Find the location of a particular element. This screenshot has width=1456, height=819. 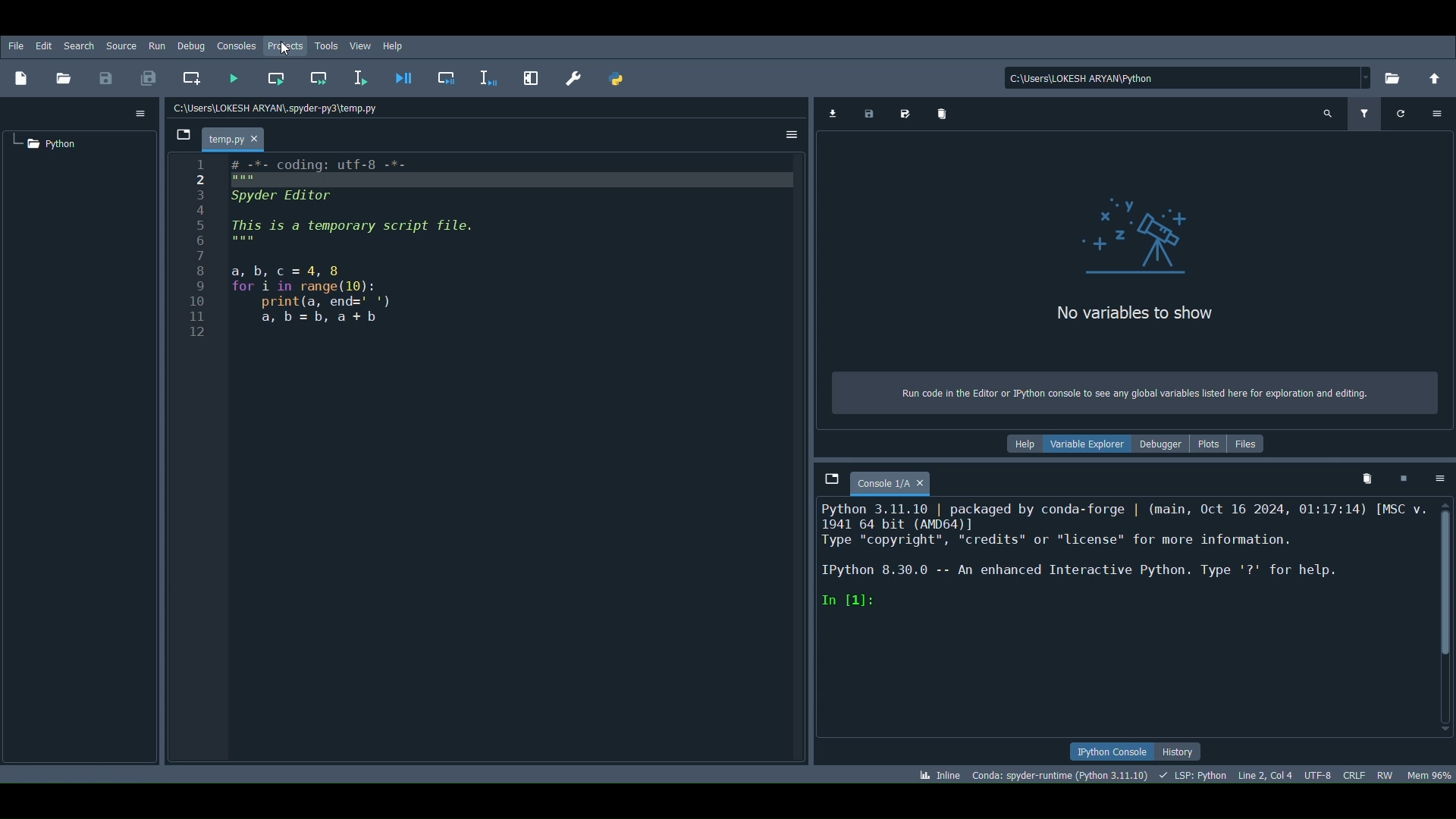

File location is located at coordinates (1191, 78).